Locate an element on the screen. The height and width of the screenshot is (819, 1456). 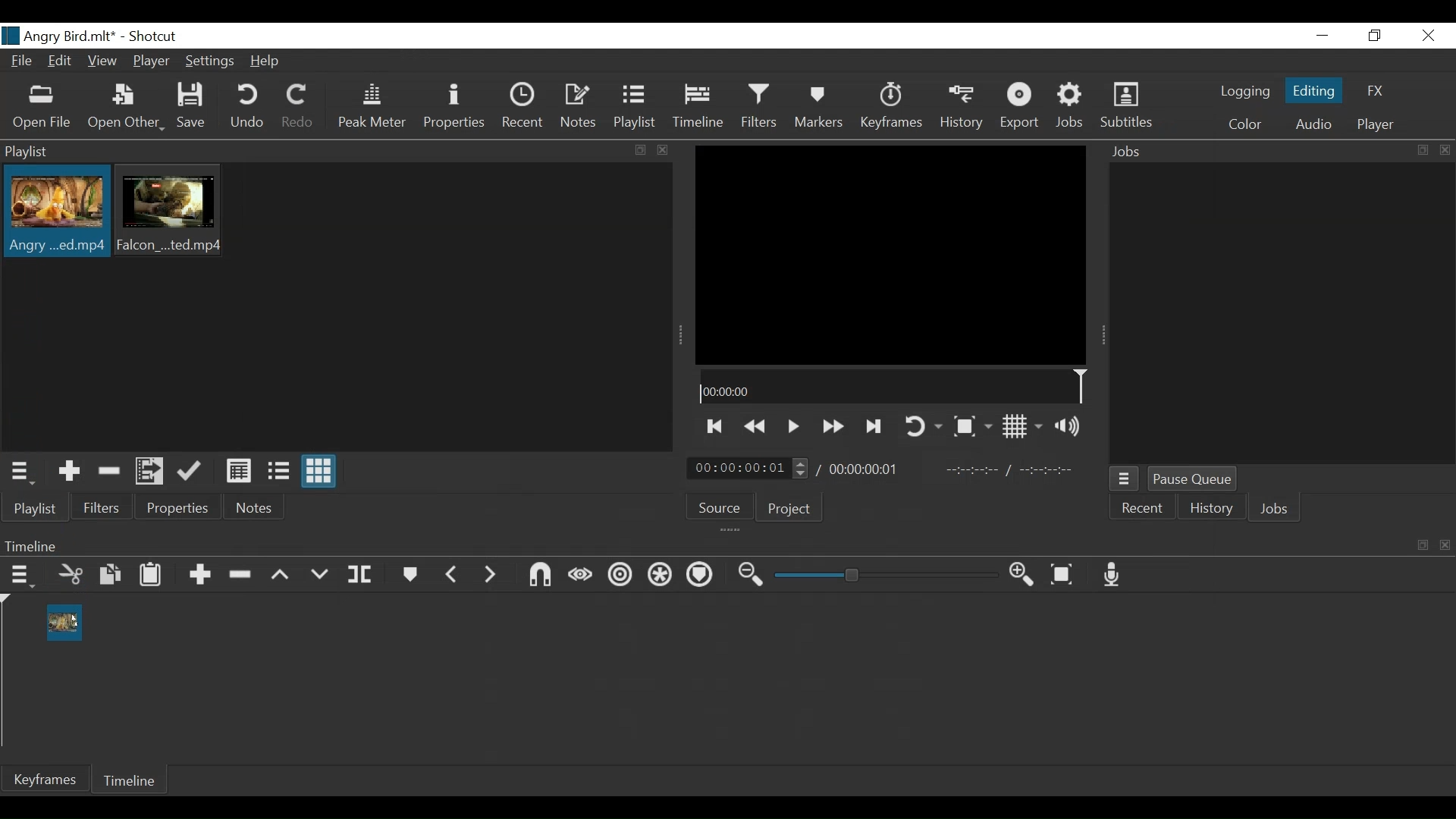
Jobs is located at coordinates (1272, 511).